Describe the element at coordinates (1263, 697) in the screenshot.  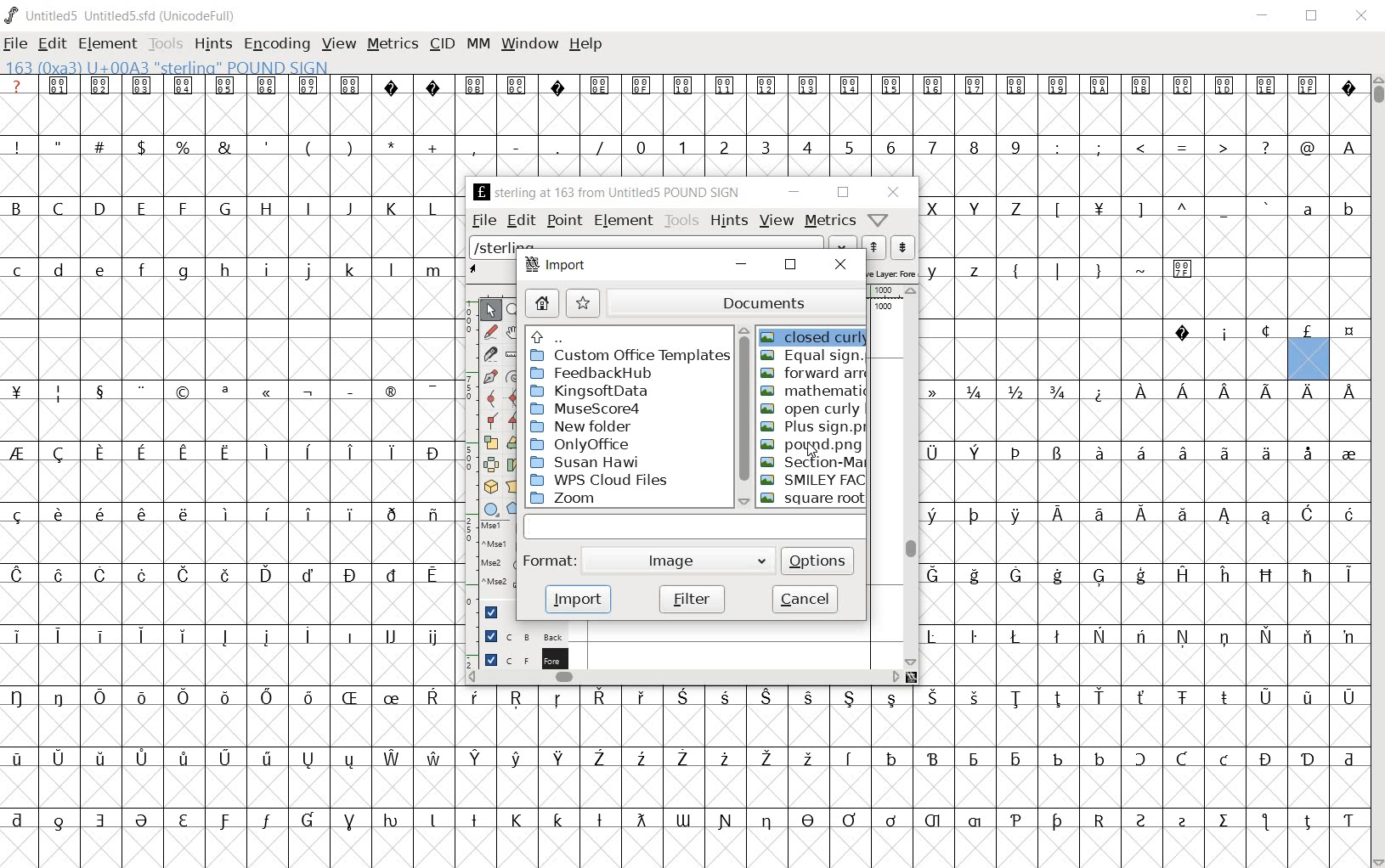
I see `Symbol` at that location.